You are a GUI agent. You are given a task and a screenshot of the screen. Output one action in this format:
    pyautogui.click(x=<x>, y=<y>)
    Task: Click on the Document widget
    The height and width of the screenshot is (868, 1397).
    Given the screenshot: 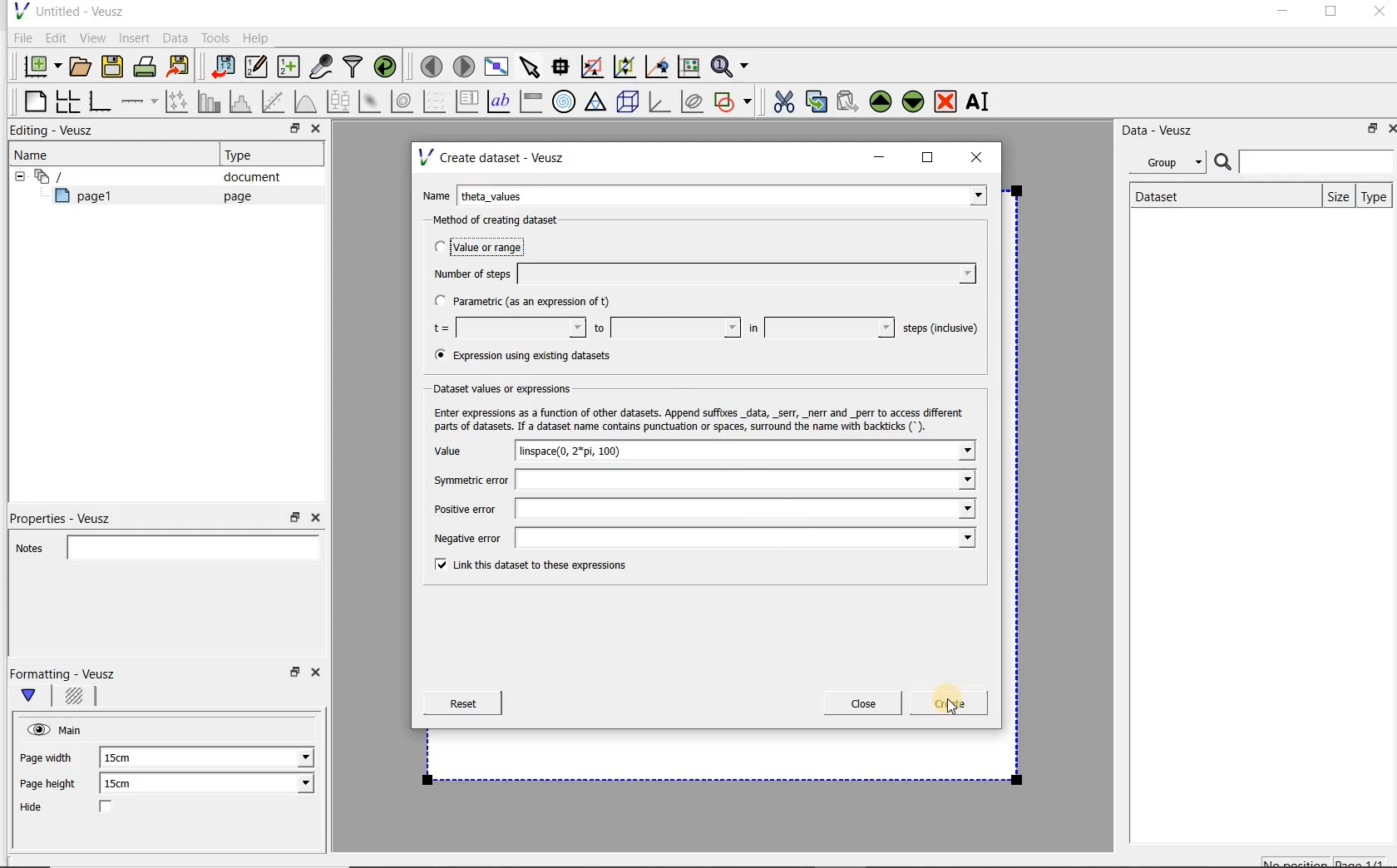 What is the action you would take?
    pyautogui.click(x=78, y=176)
    